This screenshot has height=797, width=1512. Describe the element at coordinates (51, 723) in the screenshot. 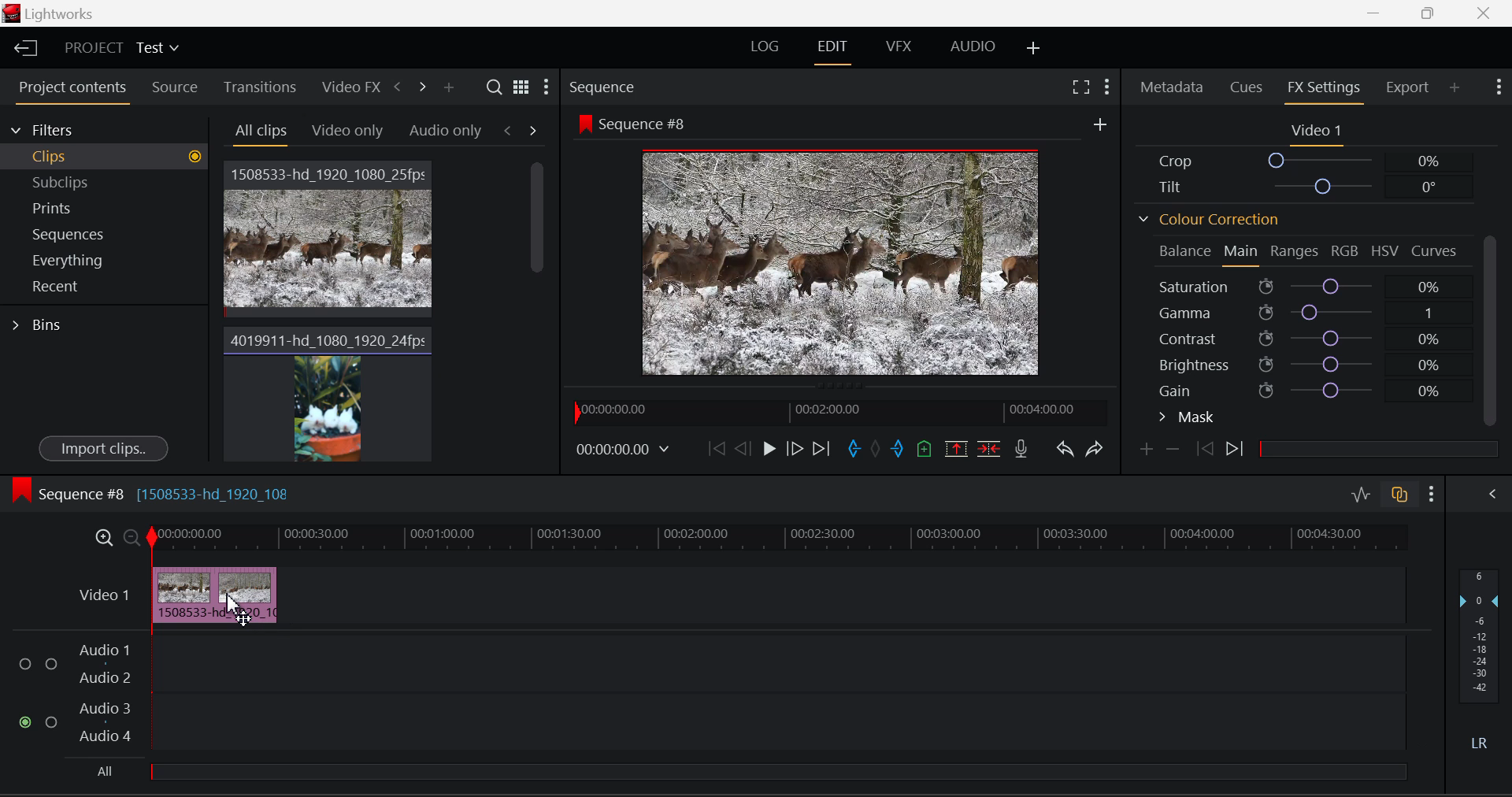

I see `Audio Input Checkbox` at that location.